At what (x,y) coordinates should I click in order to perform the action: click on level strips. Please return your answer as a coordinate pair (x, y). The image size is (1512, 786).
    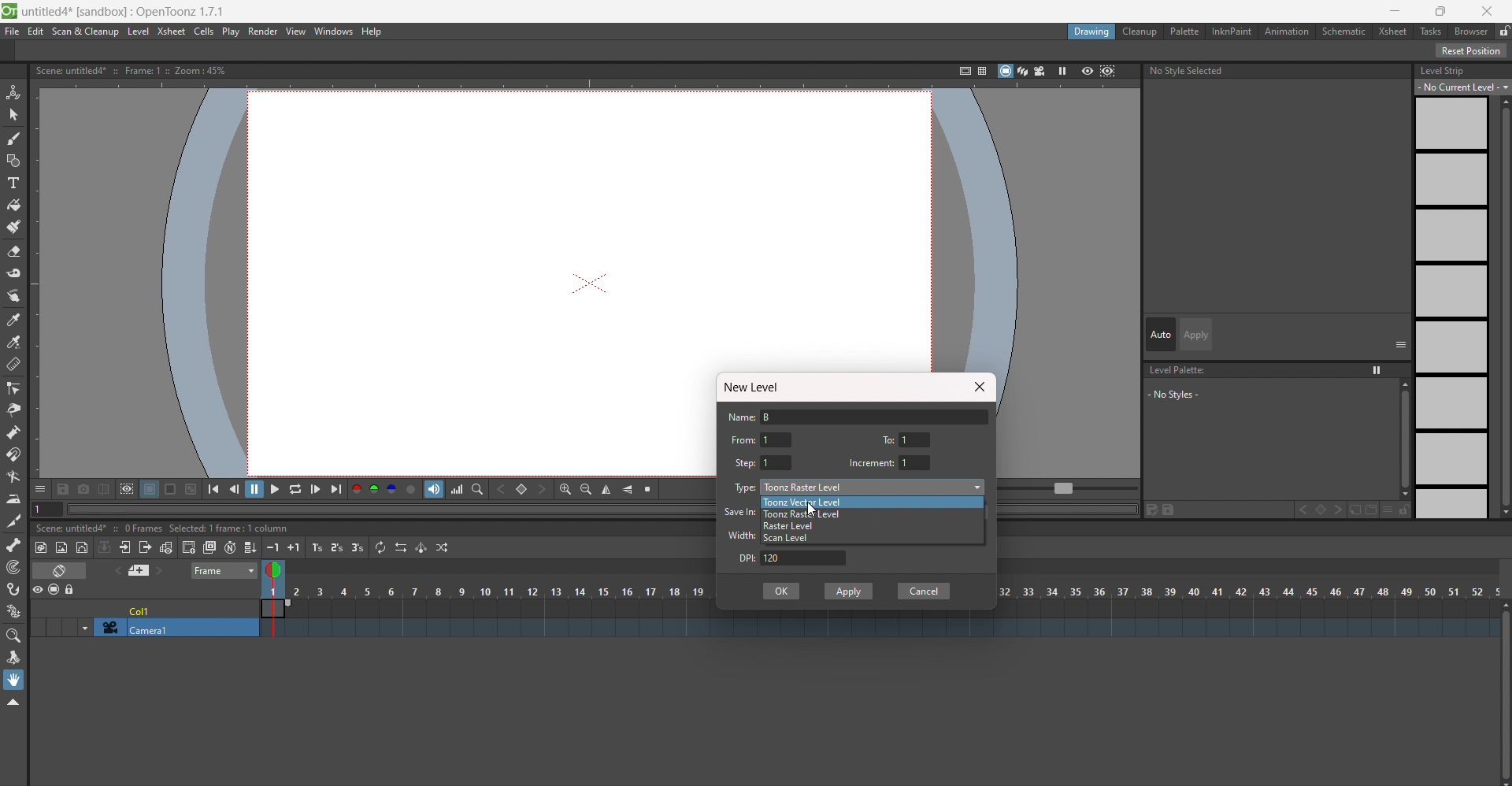
    Looking at the image, I should click on (1451, 308).